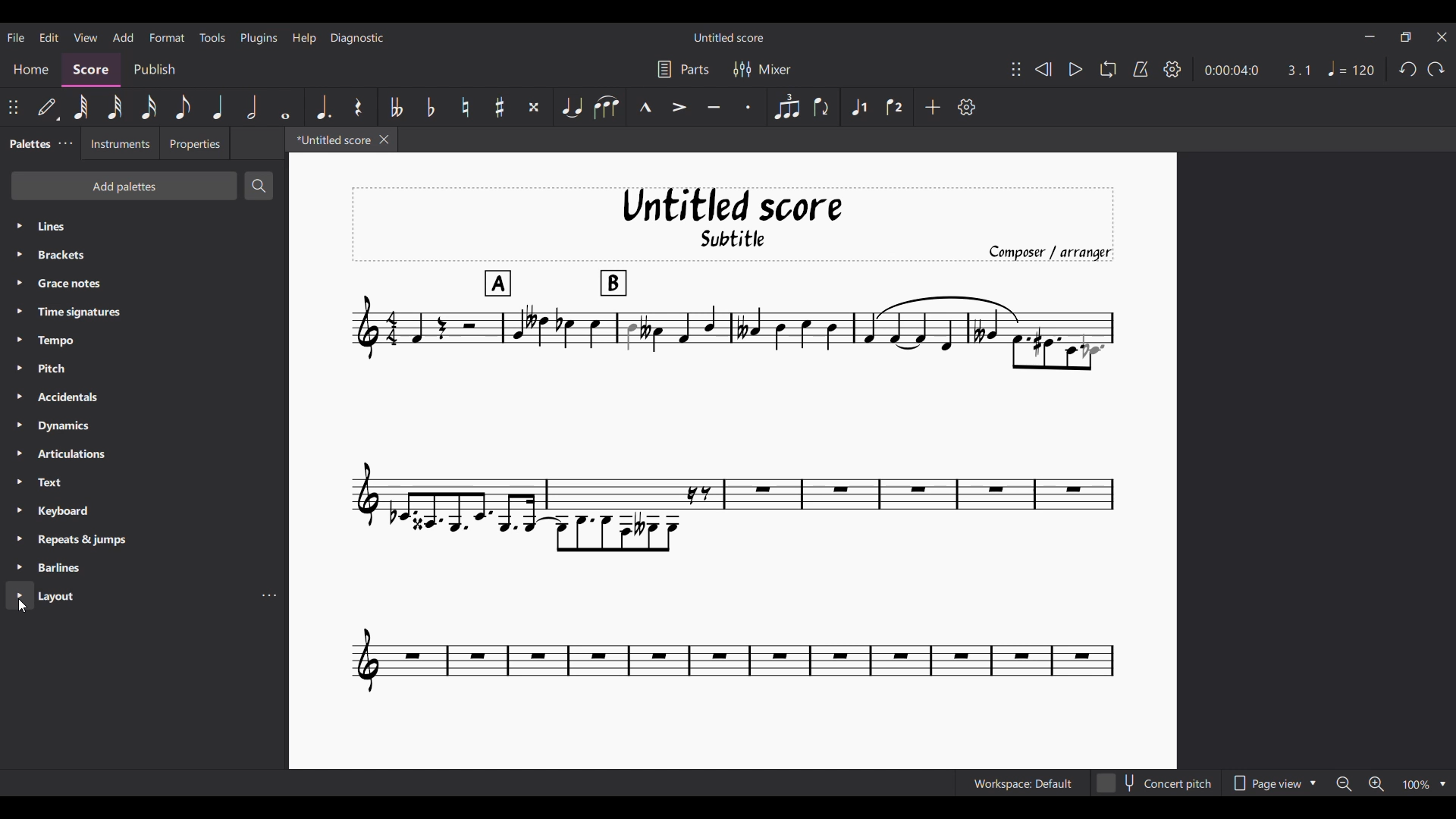 Image resolution: width=1456 pixels, height=819 pixels. What do you see at coordinates (144, 426) in the screenshot?
I see `Dynamics` at bounding box center [144, 426].